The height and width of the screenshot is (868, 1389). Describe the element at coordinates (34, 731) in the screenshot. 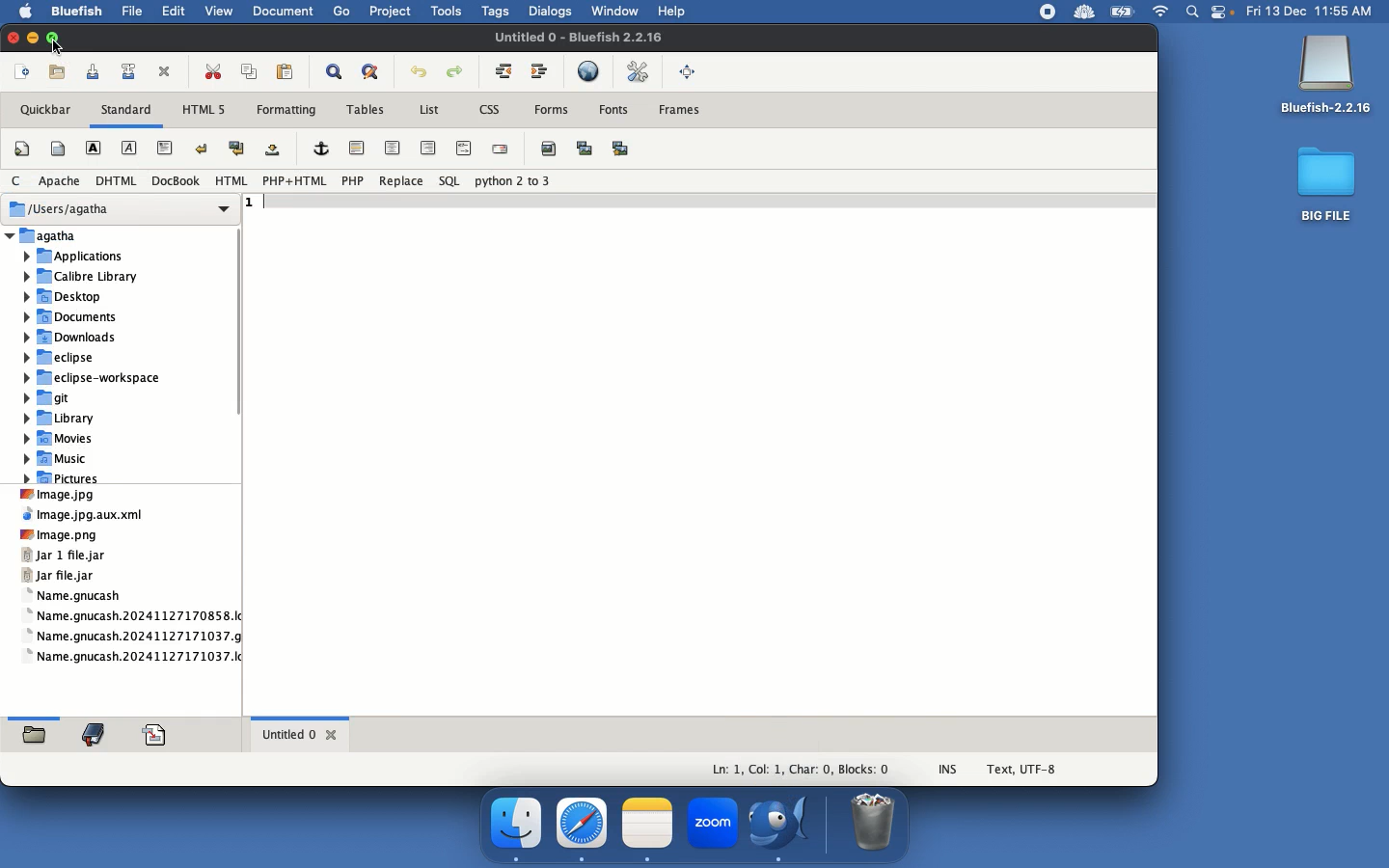

I see `folders` at that location.